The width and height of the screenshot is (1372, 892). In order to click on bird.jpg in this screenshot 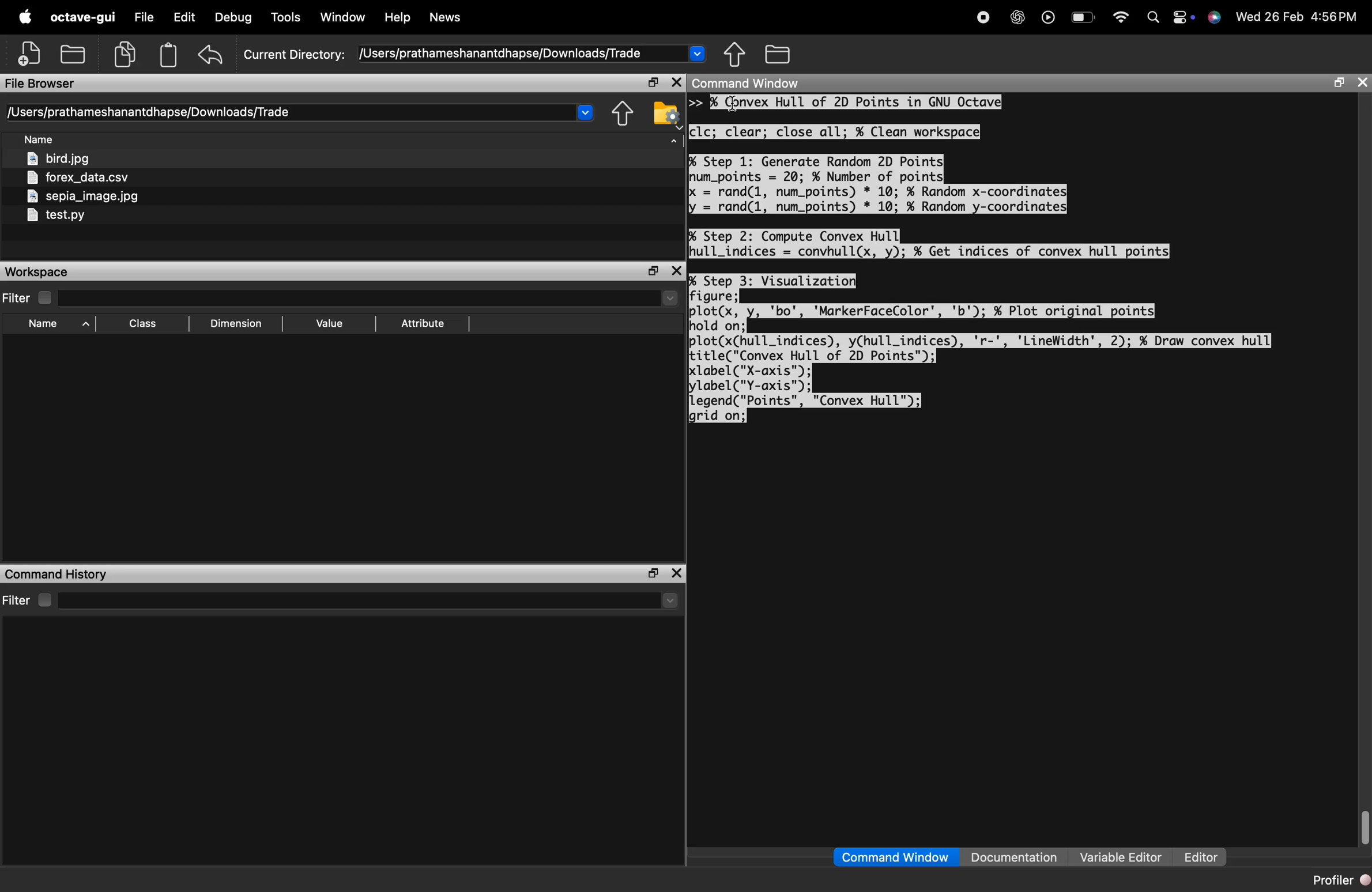, I will do `click(58, 158)`.